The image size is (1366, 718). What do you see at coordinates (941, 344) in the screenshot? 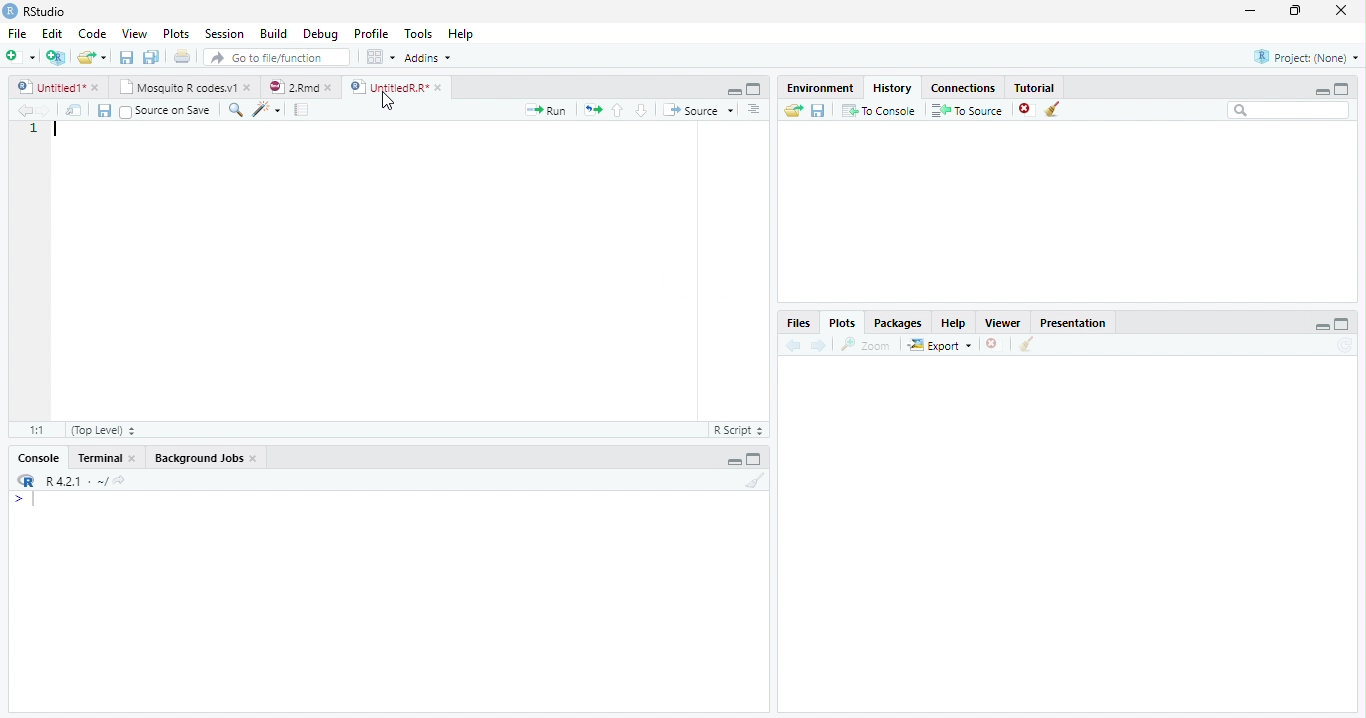
I see `Export` at bounding box center [941, 344].